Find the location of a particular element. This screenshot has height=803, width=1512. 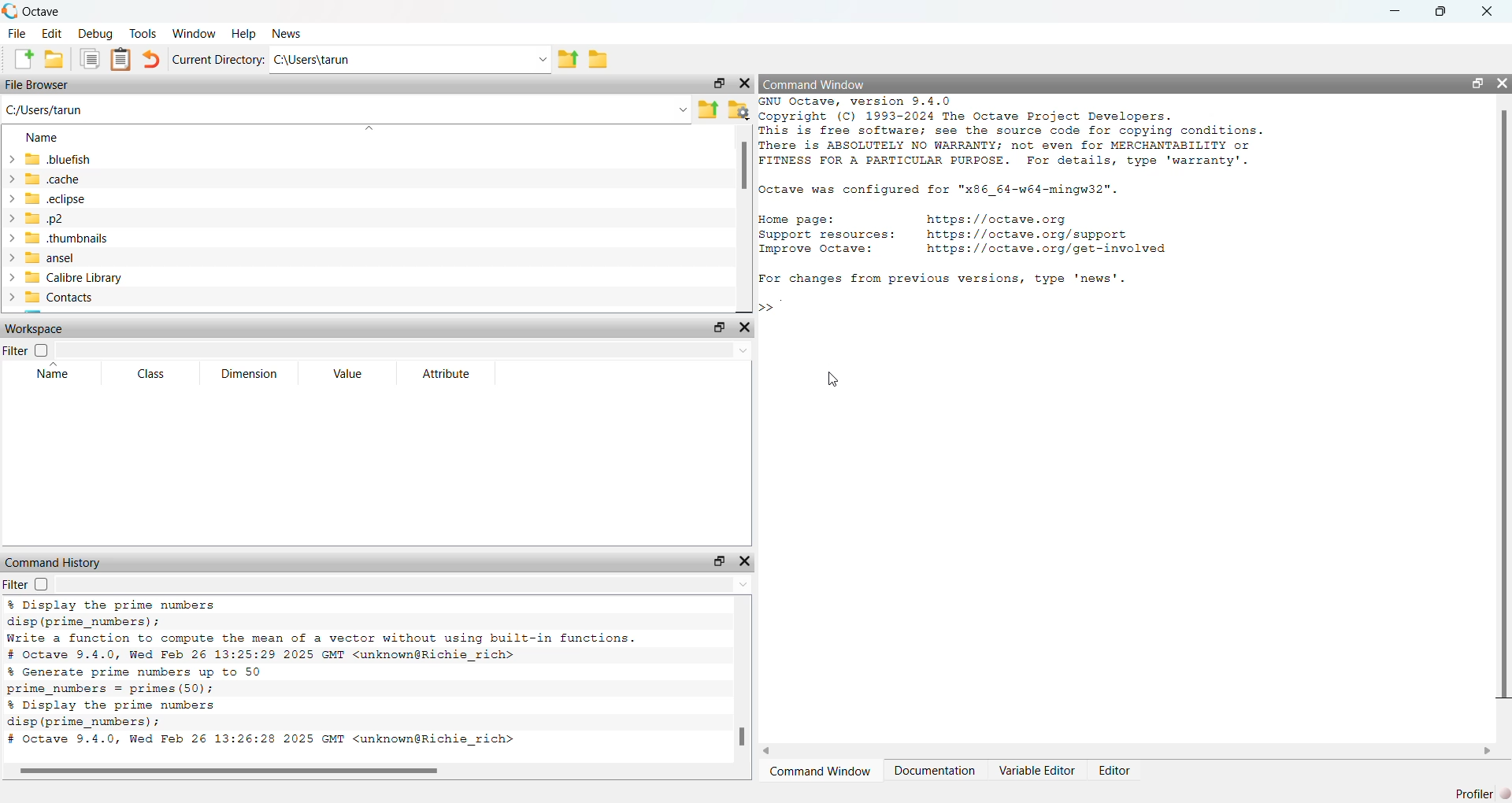

>> is located at coordinates (765, 308).